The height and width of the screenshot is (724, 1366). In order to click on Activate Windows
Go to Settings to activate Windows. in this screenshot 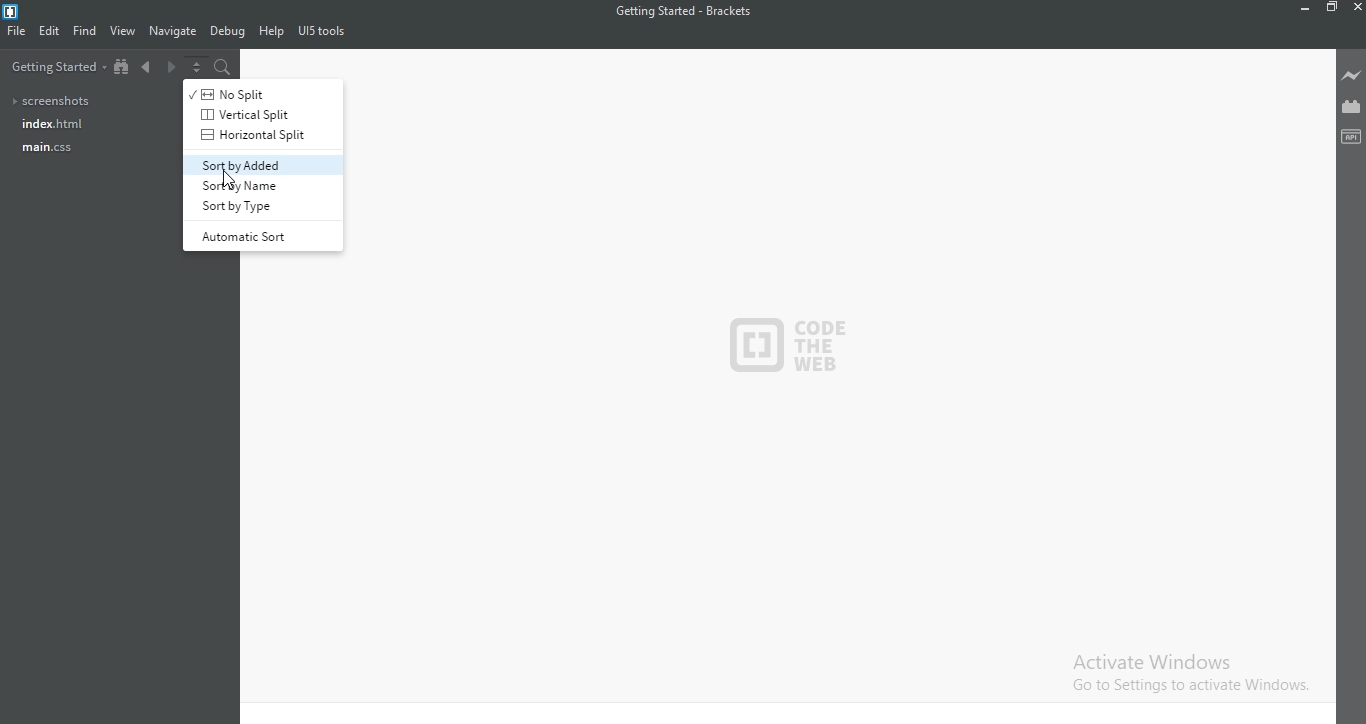, I will do `click(1186, 673)`.